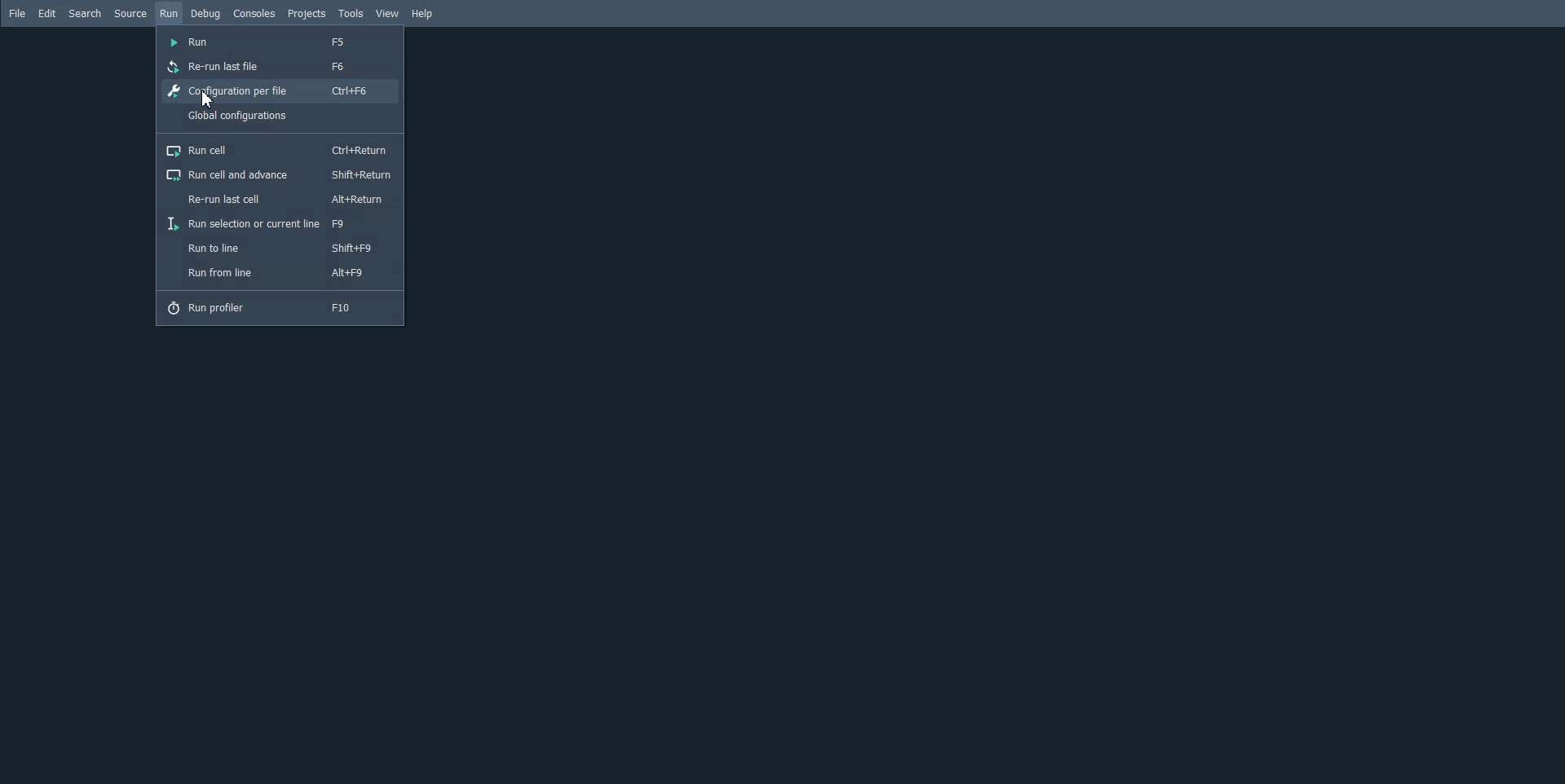 The height and width of the screenshot is (784, 1565). I want to click on Run to line, so click(280, 247).